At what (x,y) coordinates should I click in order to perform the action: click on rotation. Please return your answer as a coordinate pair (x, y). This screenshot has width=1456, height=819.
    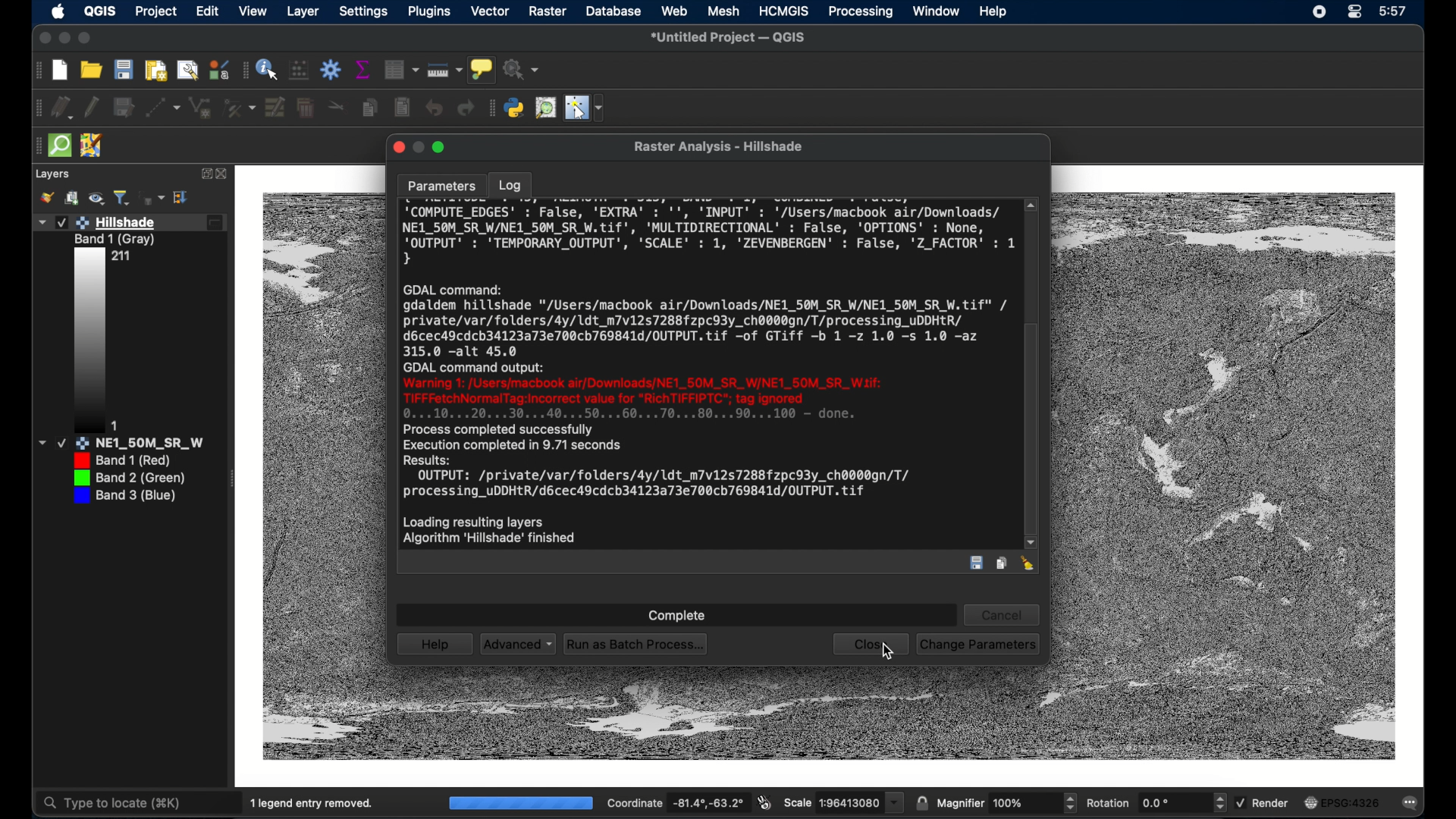
    Looking at the image, I should click on (1147, 802).